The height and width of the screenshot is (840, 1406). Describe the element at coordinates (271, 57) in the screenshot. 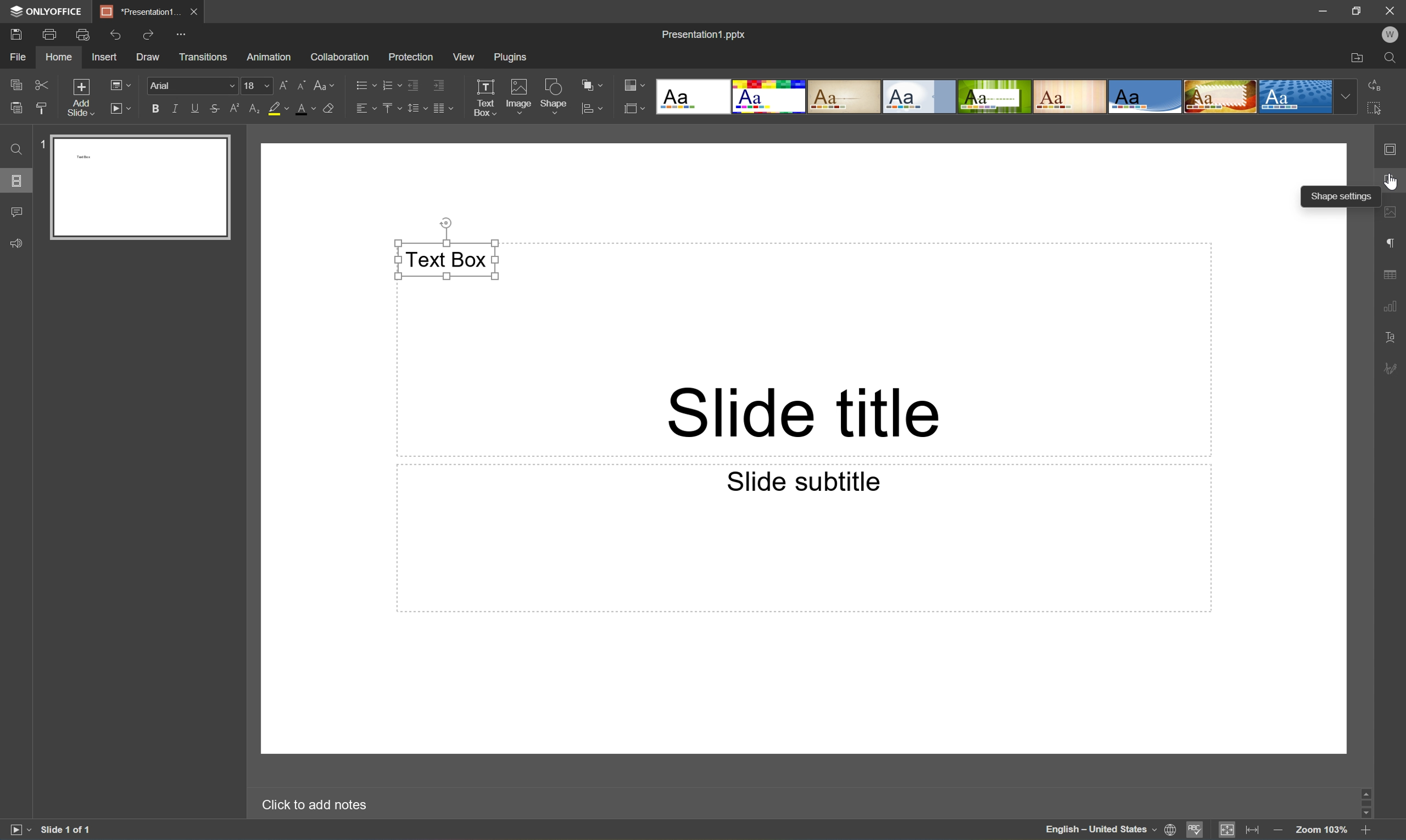

I see `Animation` at that location.